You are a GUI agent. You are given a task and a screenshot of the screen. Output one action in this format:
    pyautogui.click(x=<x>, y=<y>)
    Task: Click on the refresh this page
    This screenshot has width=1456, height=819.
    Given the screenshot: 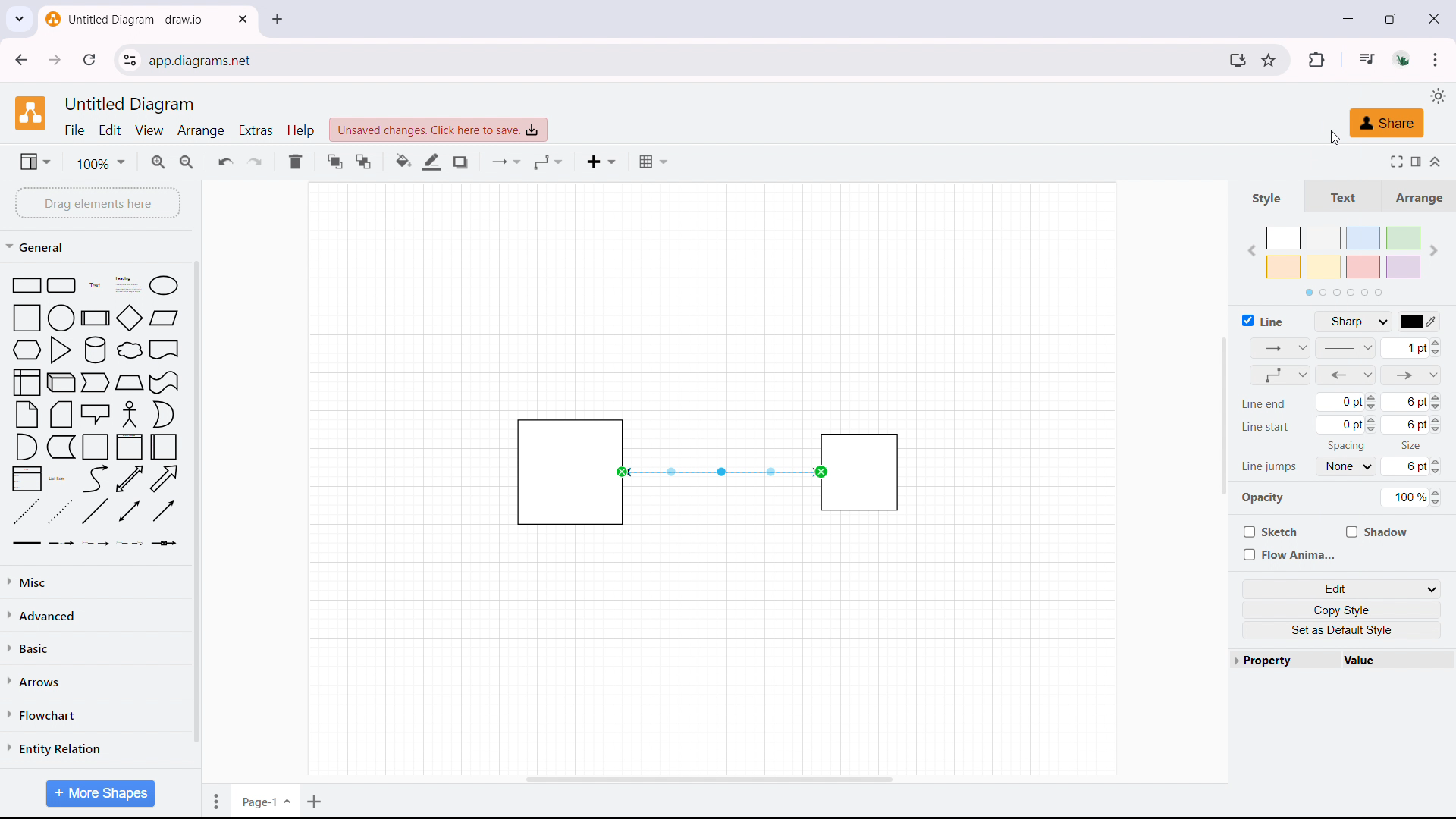 What is the action you would take?
    pyautogui.click(x=90, y=59)
    